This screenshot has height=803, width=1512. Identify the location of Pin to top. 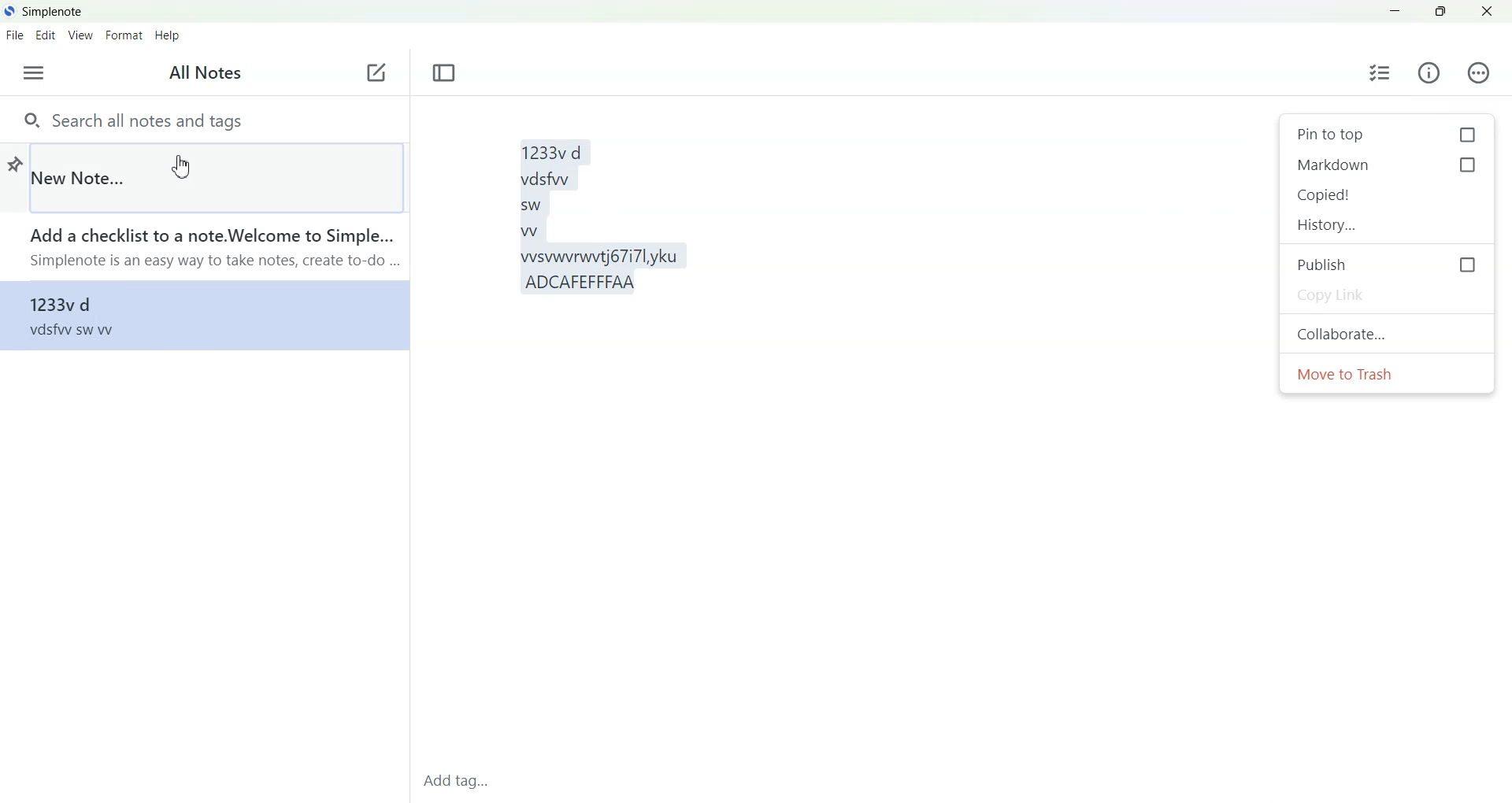
(1384, 135).